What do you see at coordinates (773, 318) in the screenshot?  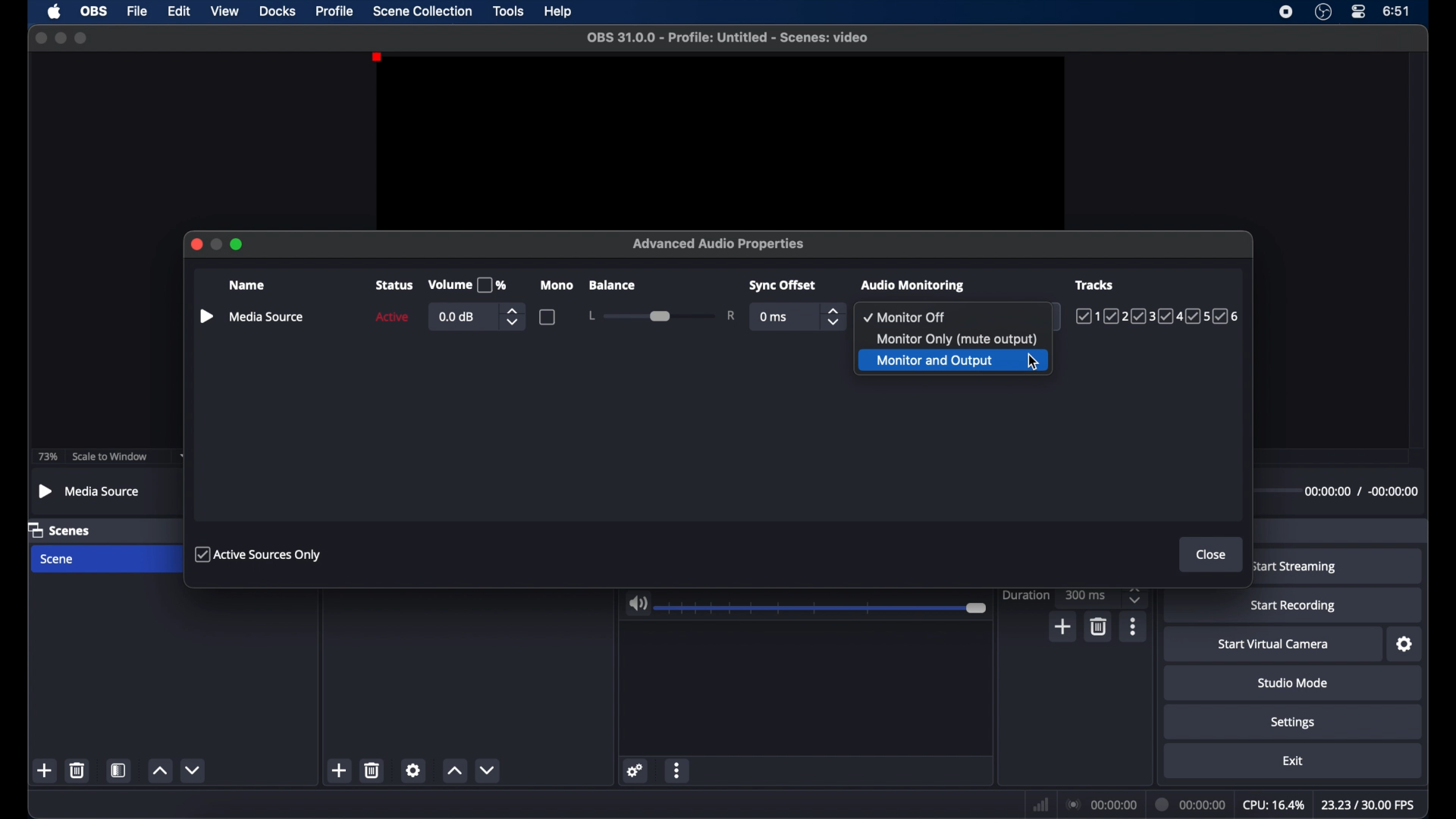 I see `0 ms` at bounding box center [773, 318].